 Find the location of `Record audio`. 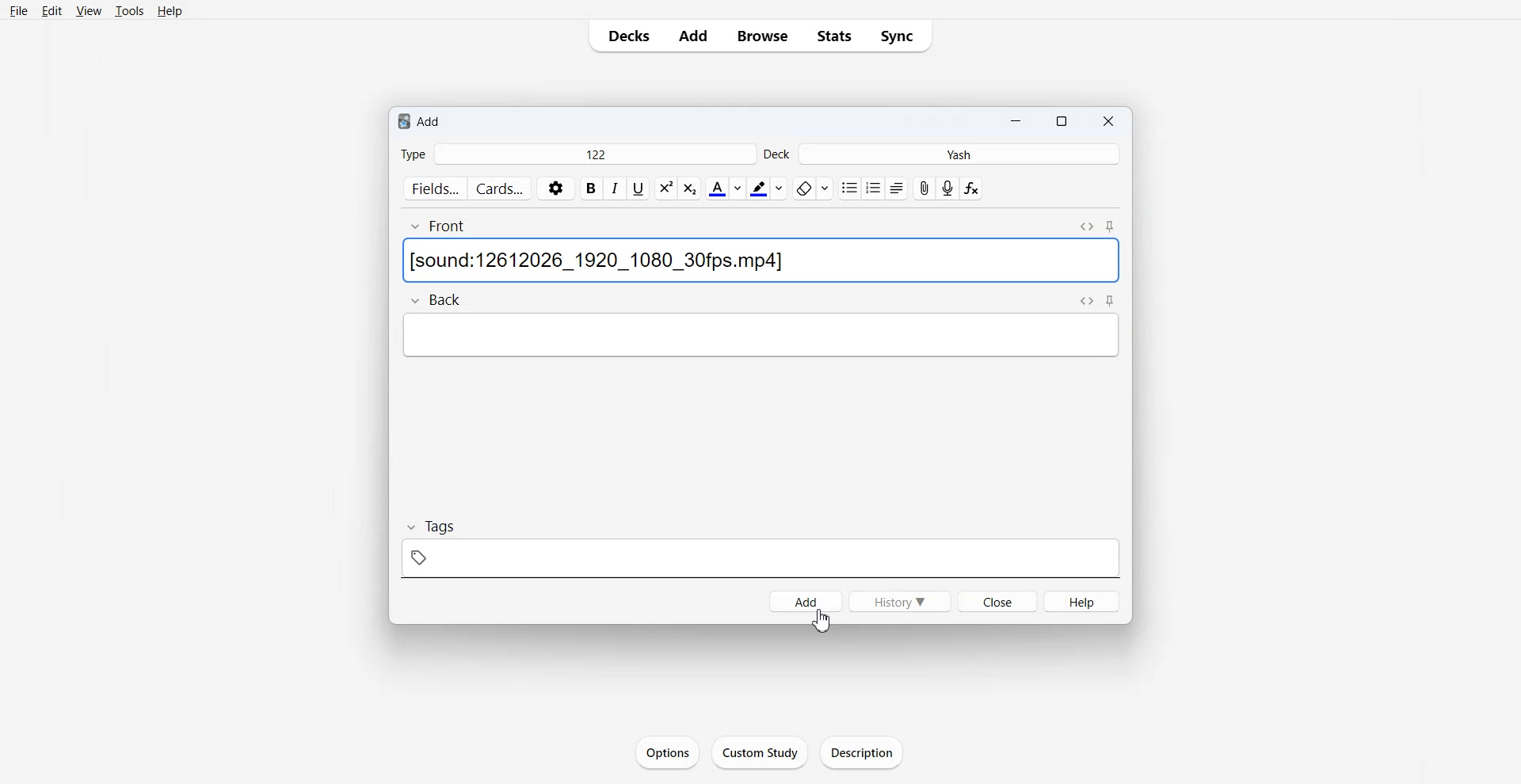

Record audio is located at coordinates (947, 188).